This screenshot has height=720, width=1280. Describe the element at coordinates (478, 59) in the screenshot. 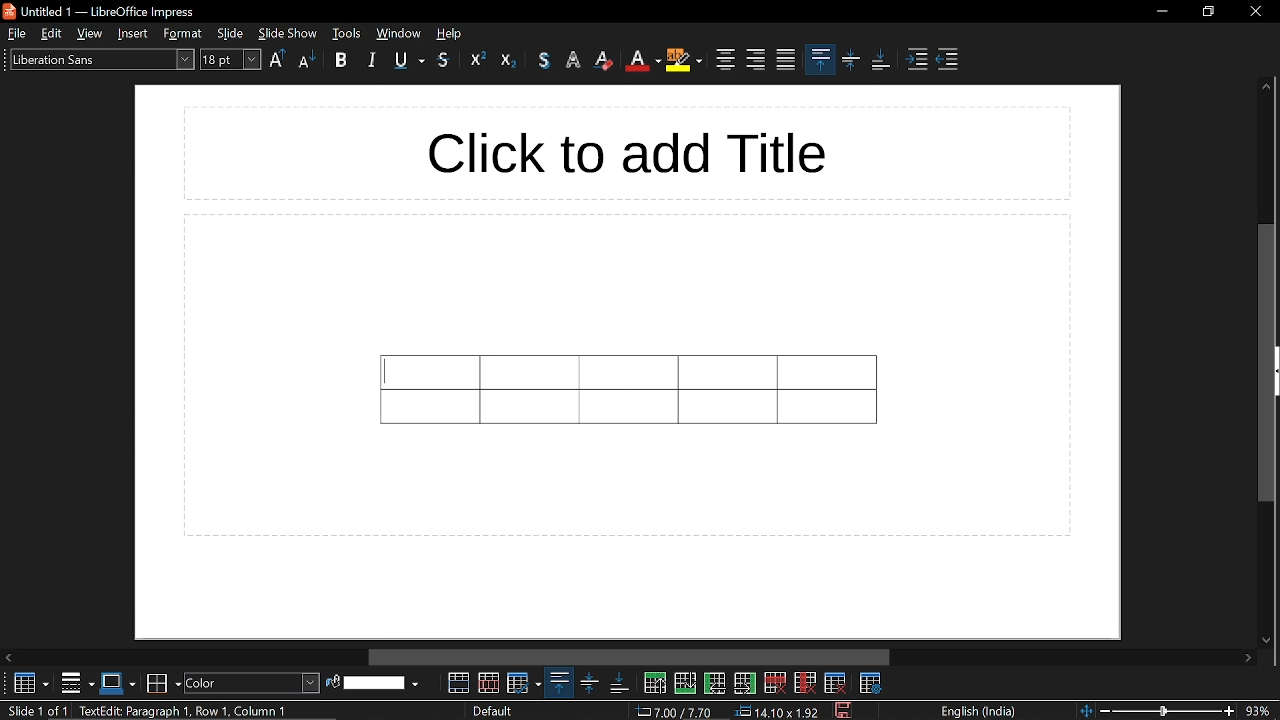

I see `outline` at that location.